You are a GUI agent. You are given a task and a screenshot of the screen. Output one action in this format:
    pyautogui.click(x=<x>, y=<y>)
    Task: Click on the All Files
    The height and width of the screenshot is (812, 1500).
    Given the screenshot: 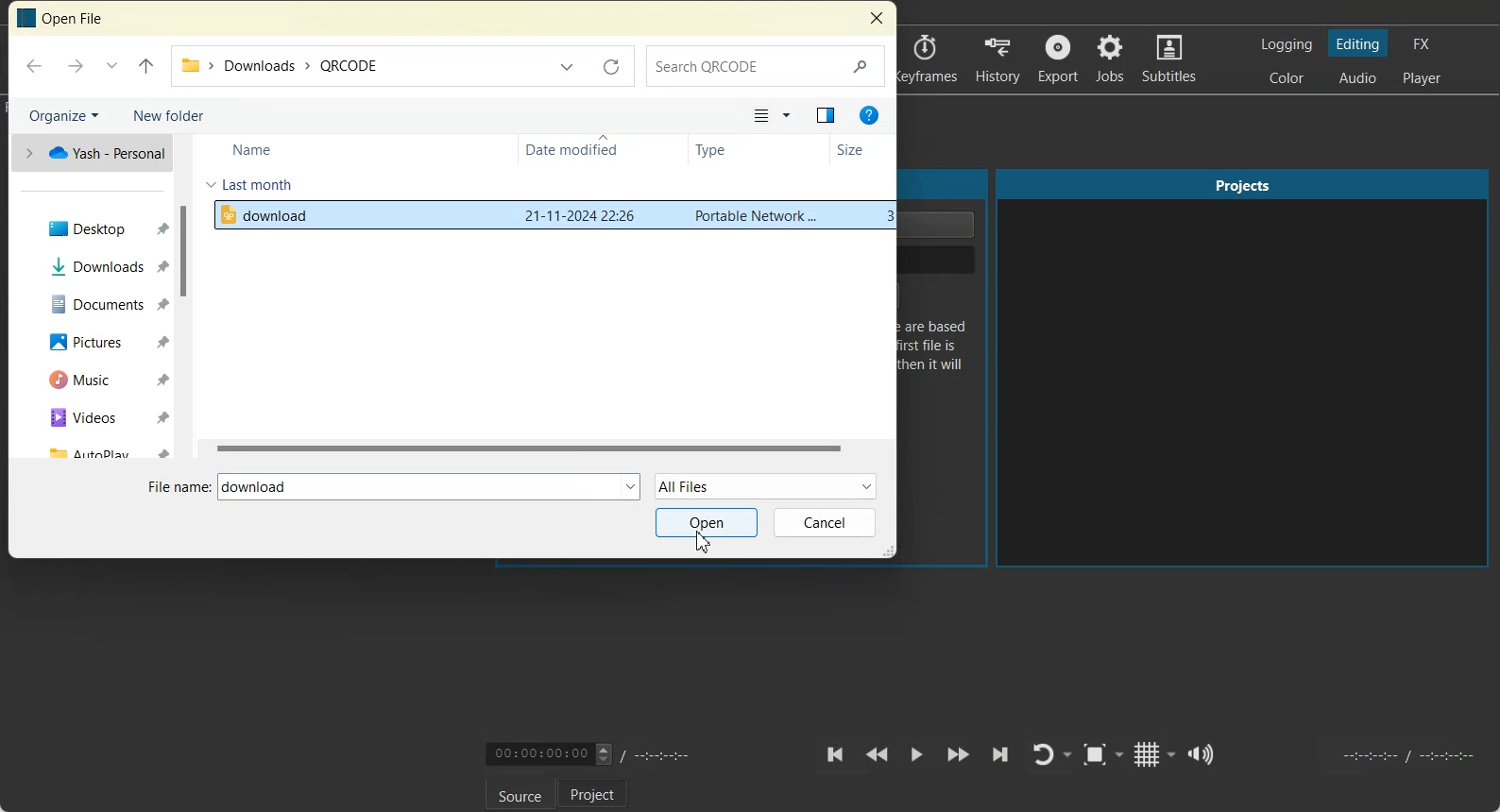 What is the action you would take?
    pyautogui.click(x=766, y=485)
    